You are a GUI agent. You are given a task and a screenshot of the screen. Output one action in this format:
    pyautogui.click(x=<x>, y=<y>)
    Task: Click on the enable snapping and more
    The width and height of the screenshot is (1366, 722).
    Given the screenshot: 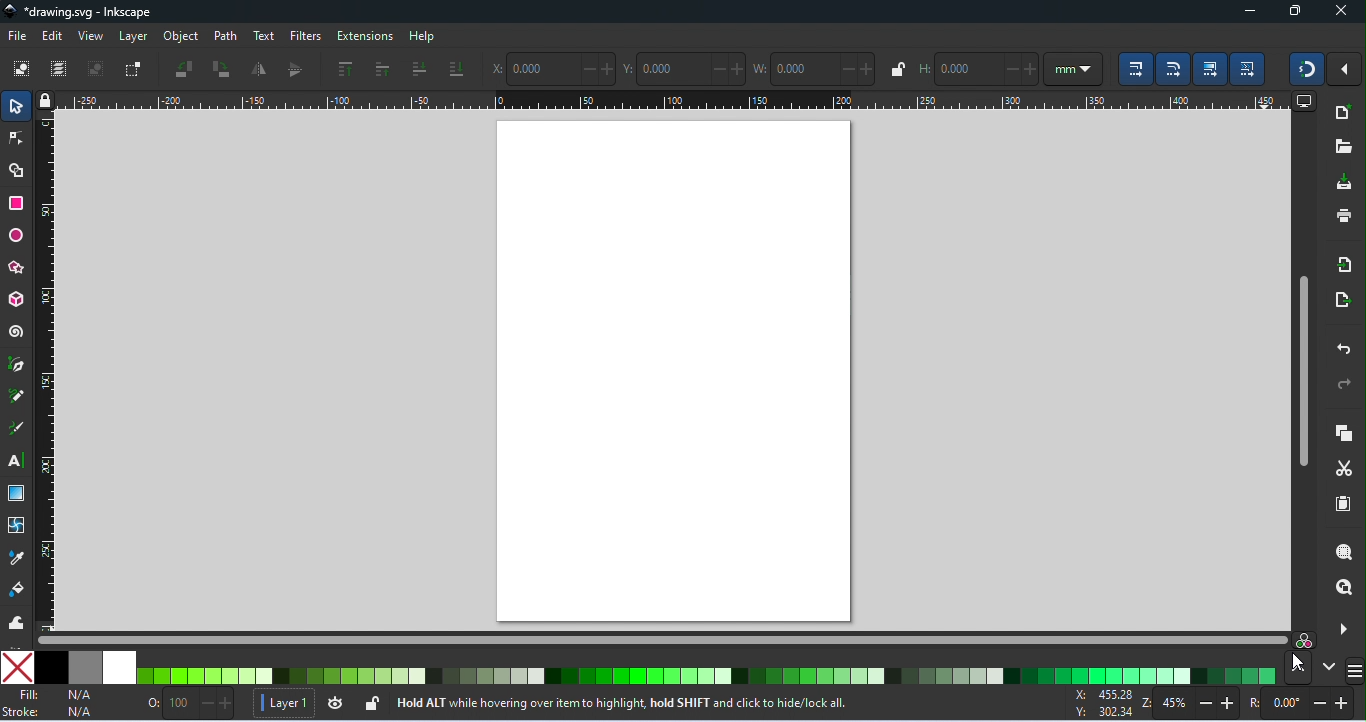 What is the action you would take?
    pyautogui.click(x=1347, y=70)
    